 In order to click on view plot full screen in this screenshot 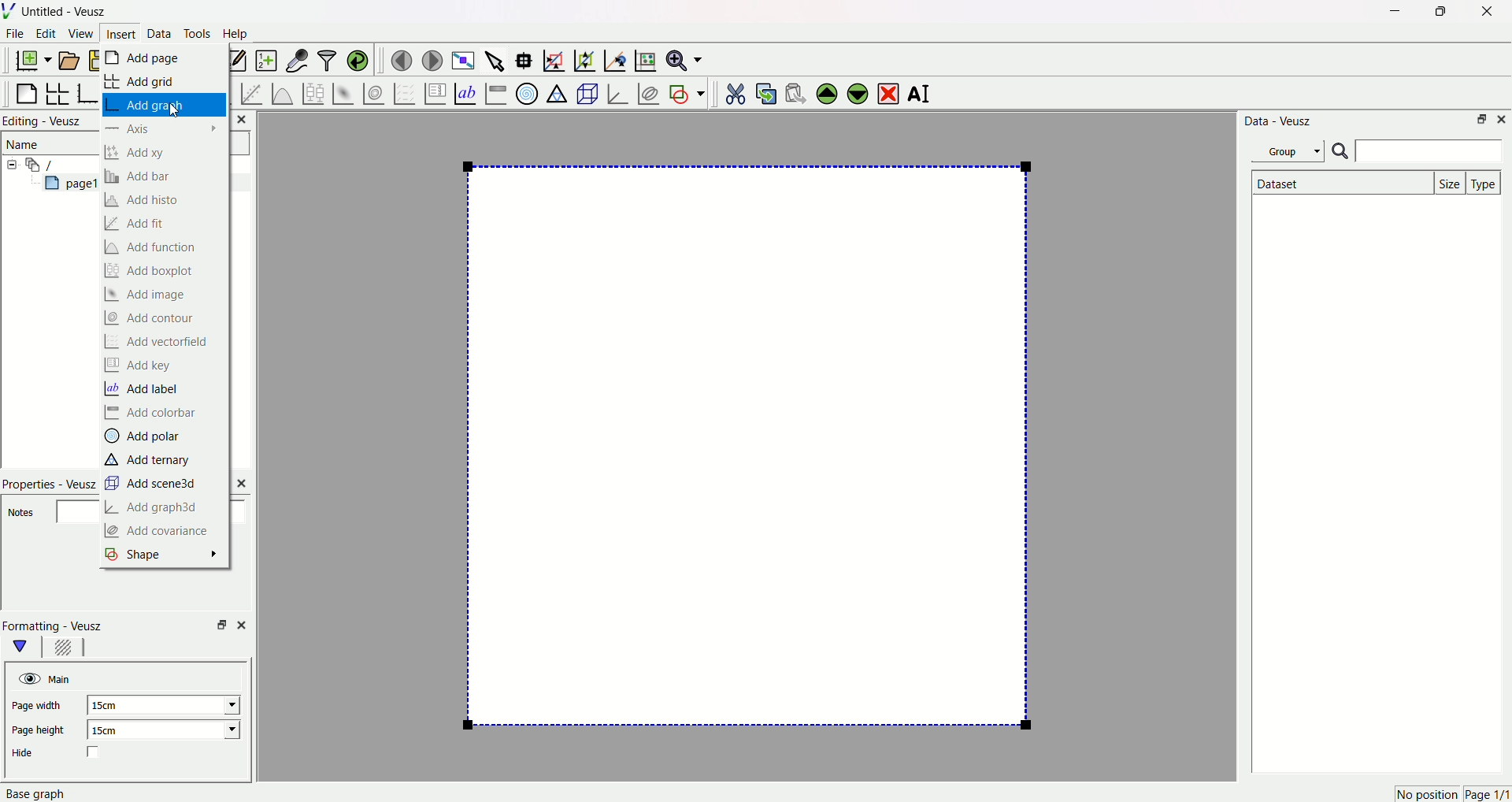, I will do `click(464, 58)`.